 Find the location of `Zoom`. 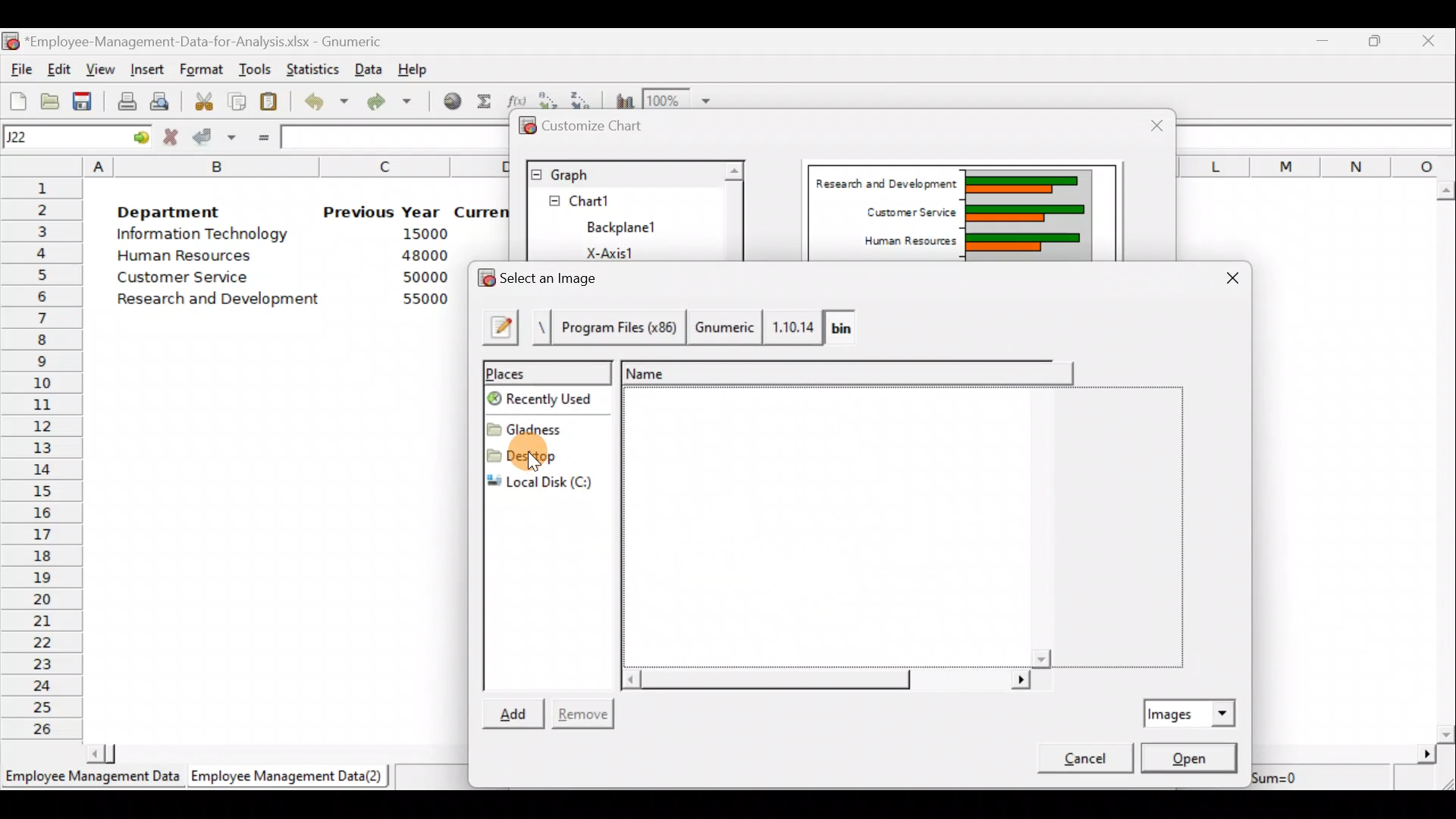

Zoom is located at coordinates (682, 99).